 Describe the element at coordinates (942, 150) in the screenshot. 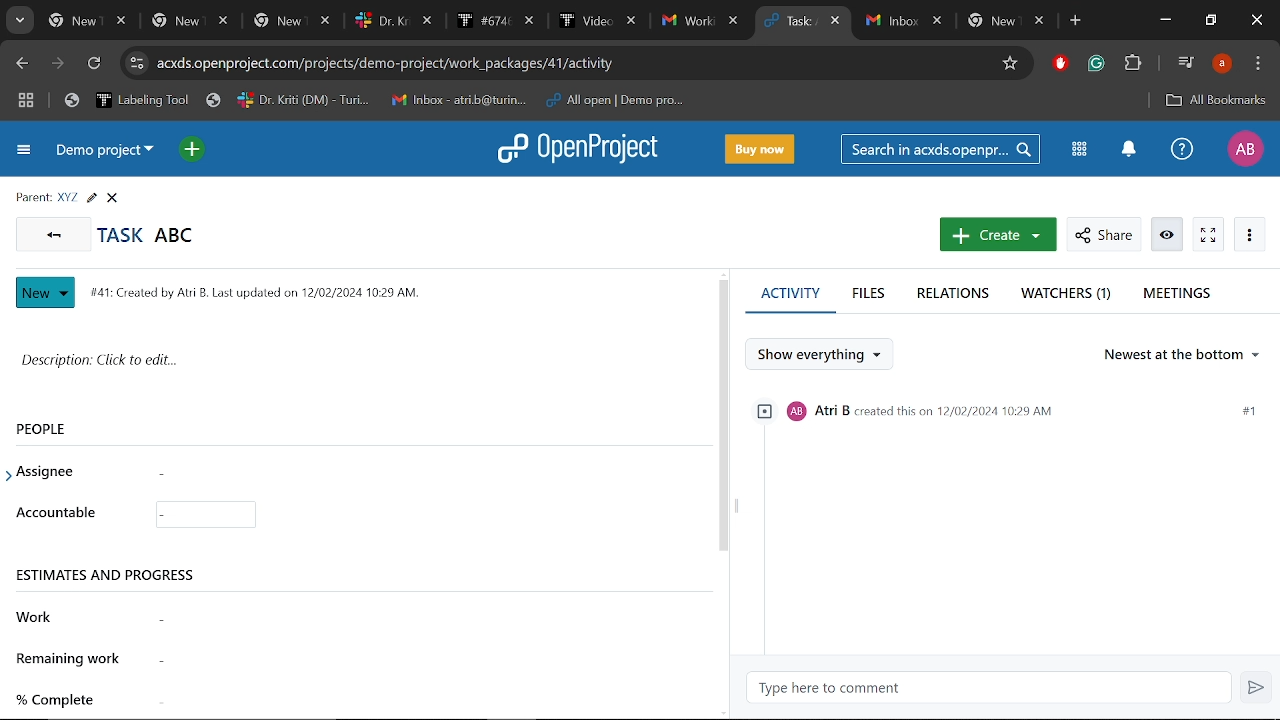

I see `Seacrh in acxds.openproject` at that location.